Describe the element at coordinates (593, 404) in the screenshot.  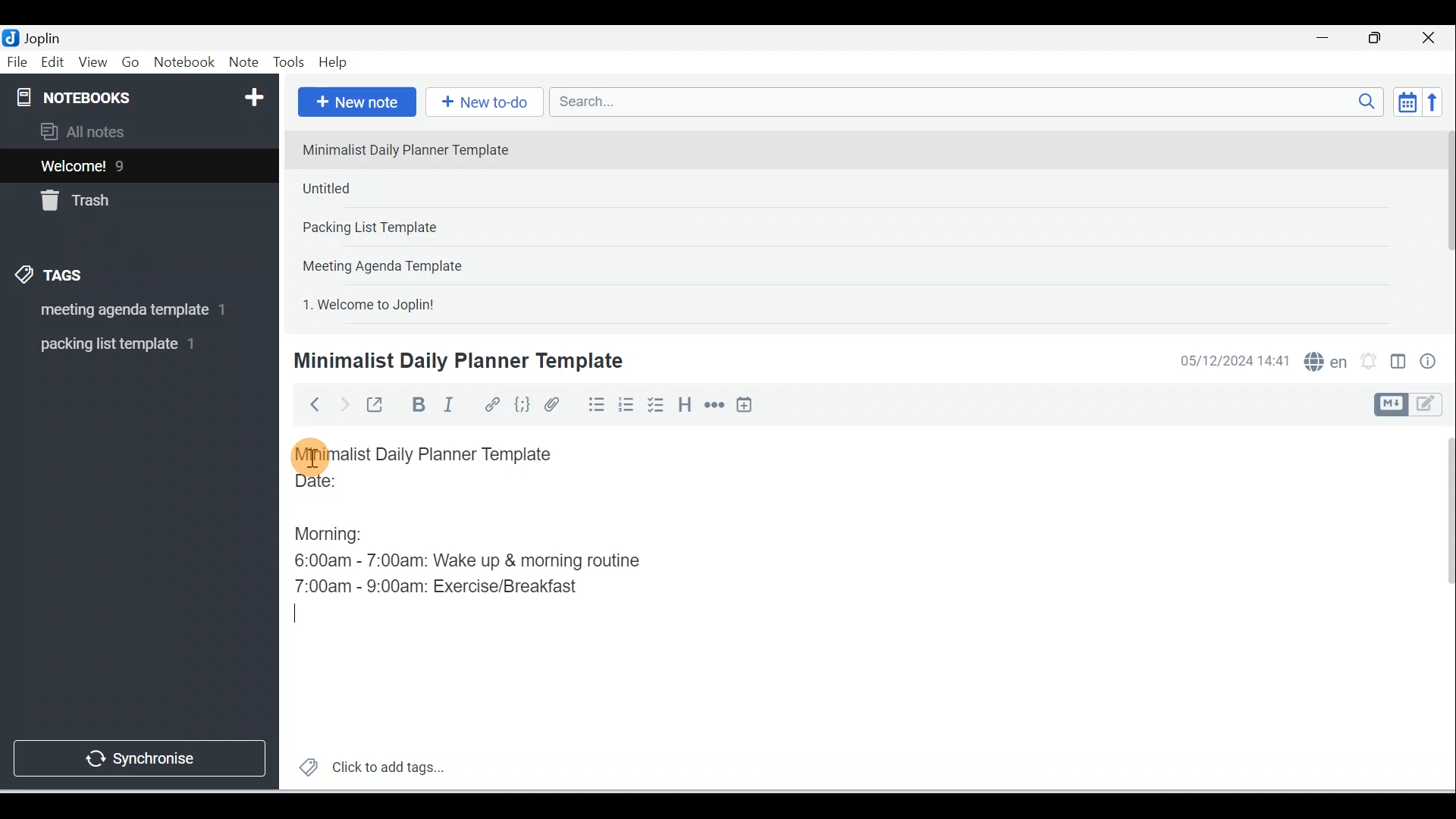
I see `Bulleted list` at that location.